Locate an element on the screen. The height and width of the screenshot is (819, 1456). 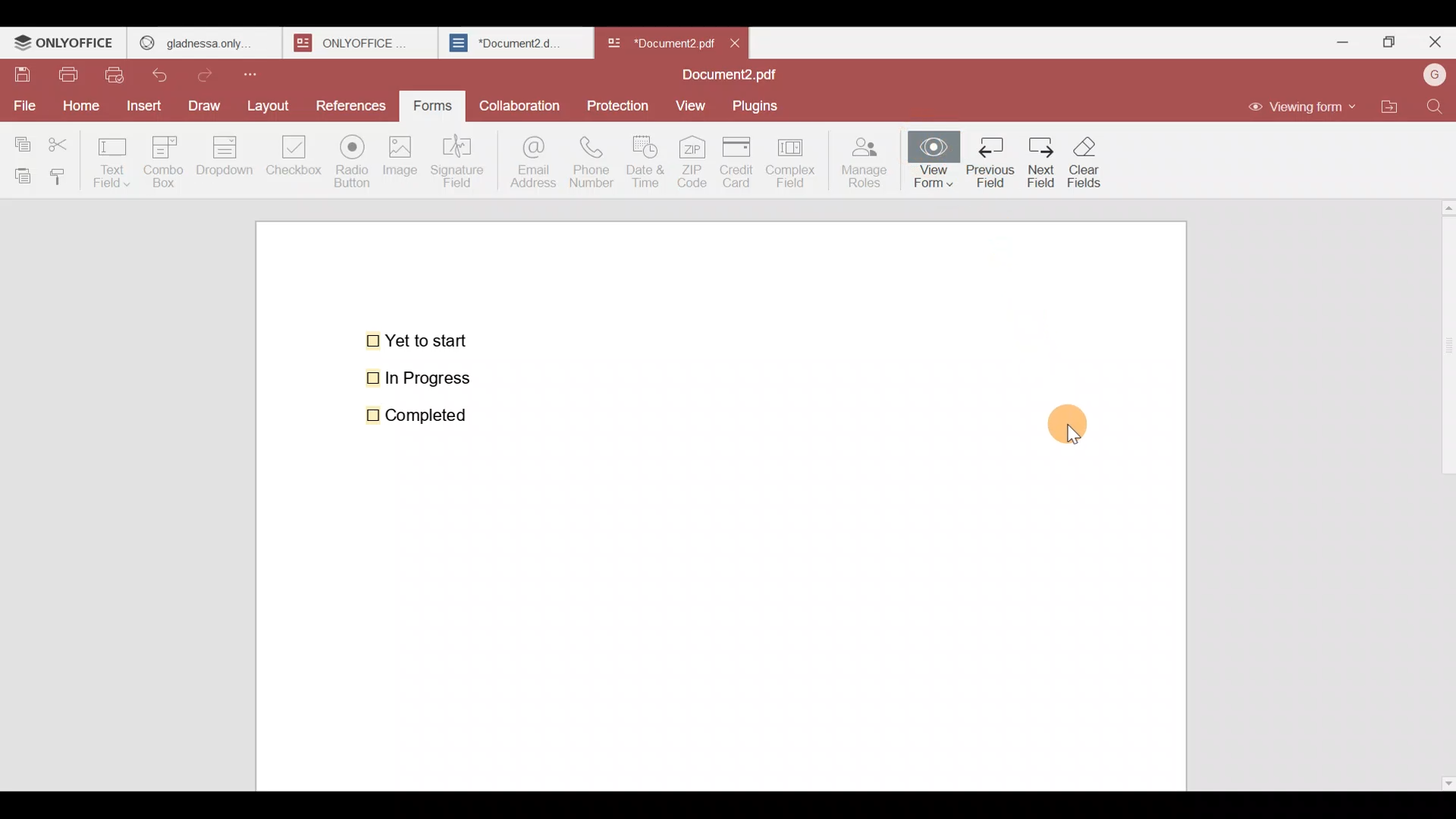
Open file location is located at coordinates (1389, 105).